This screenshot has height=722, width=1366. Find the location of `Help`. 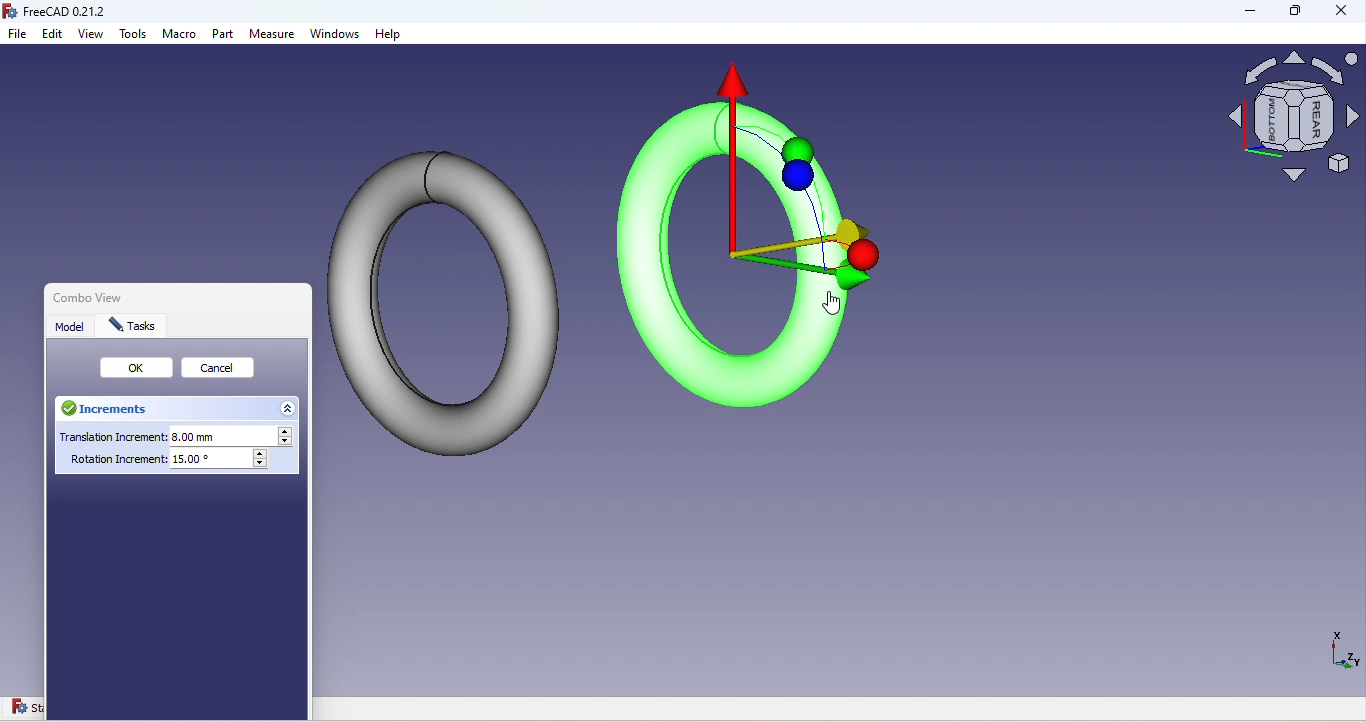

Help is located at coordinates (388, 35).